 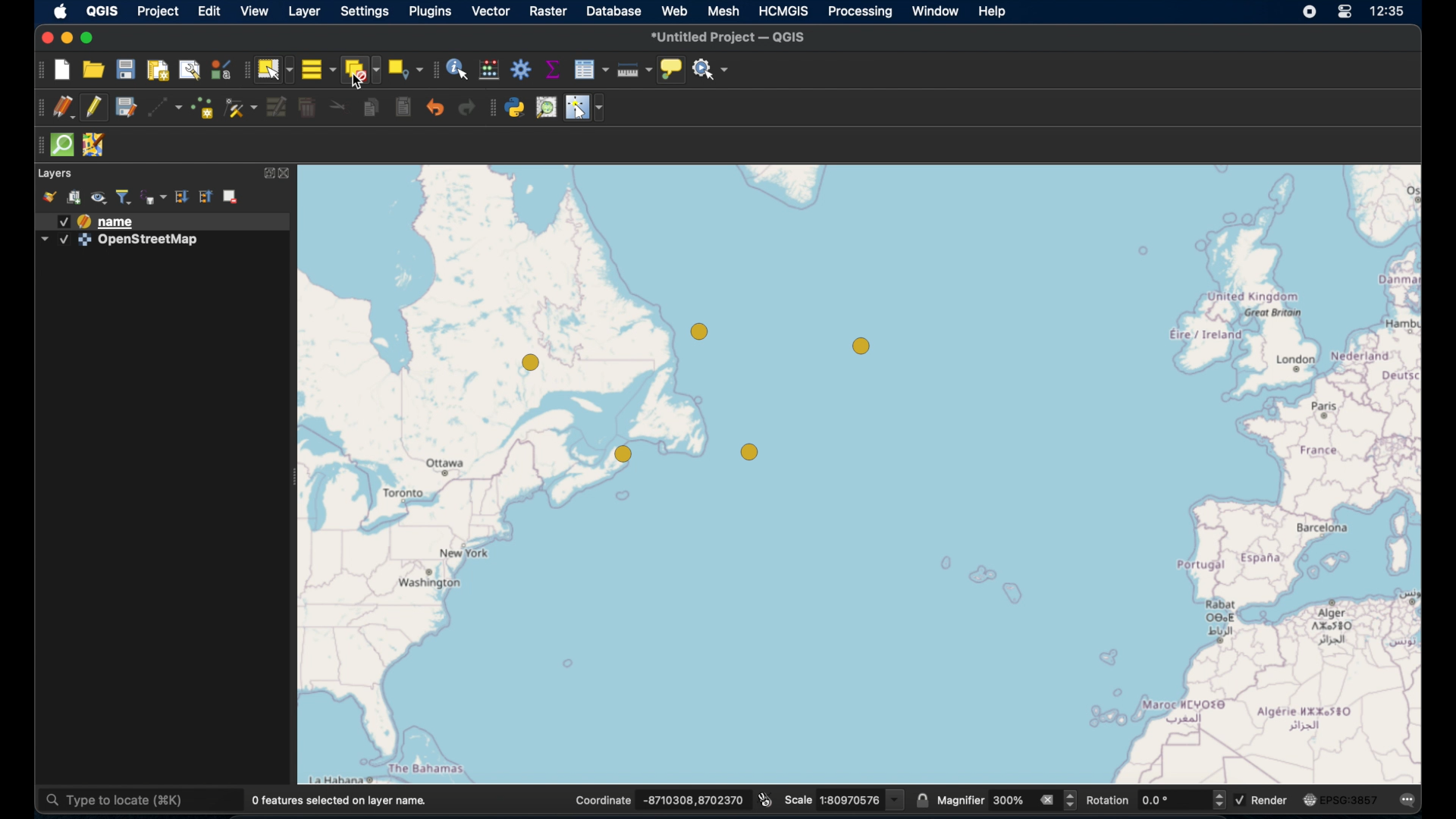 I want to click on OpenStreetMap, so click(x=149, y=240).